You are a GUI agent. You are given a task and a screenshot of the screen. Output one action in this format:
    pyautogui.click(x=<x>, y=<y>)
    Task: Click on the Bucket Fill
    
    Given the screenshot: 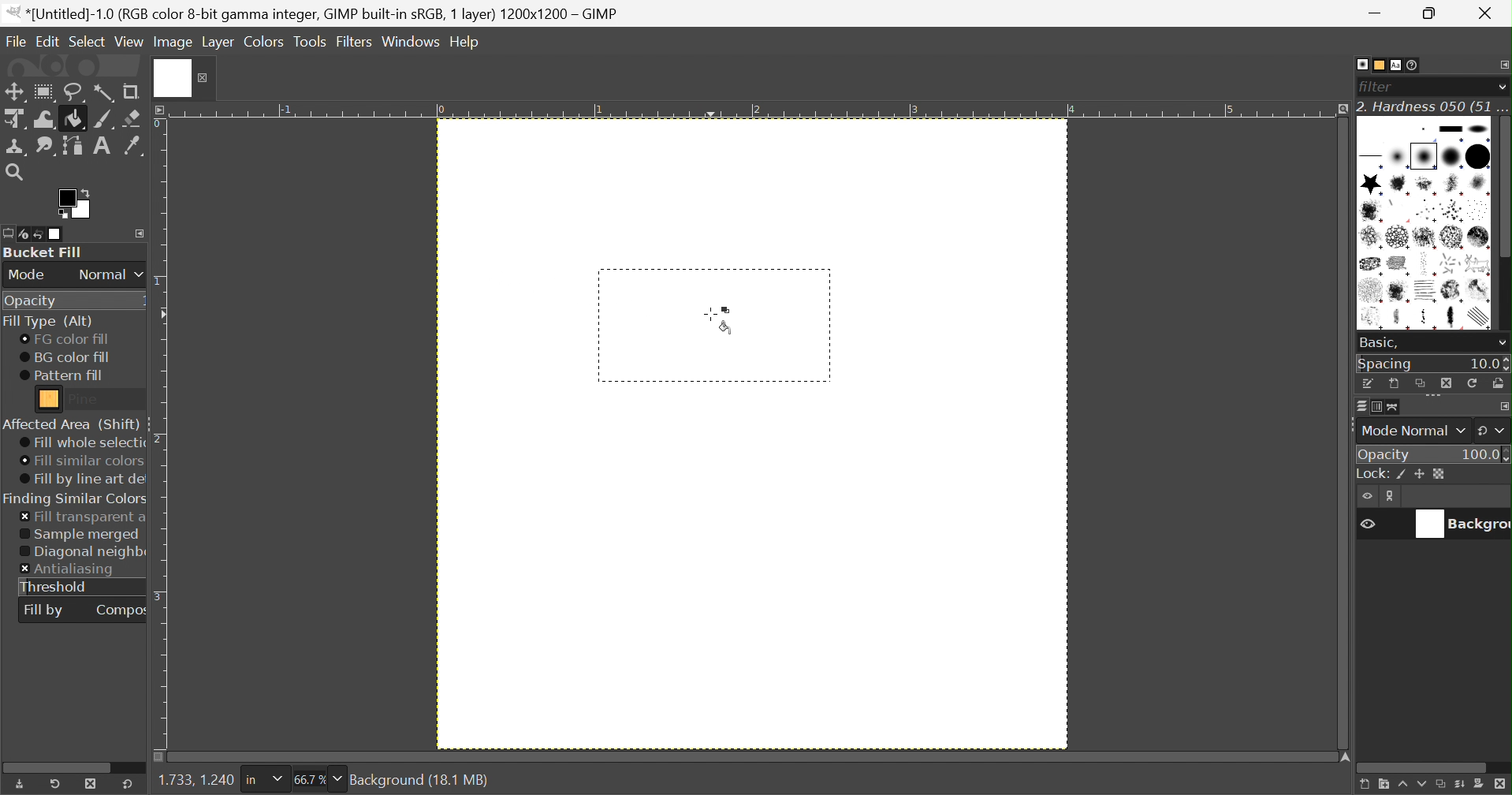 What is the action you would take?
    pyautogui.click(x=45, y=252)
    